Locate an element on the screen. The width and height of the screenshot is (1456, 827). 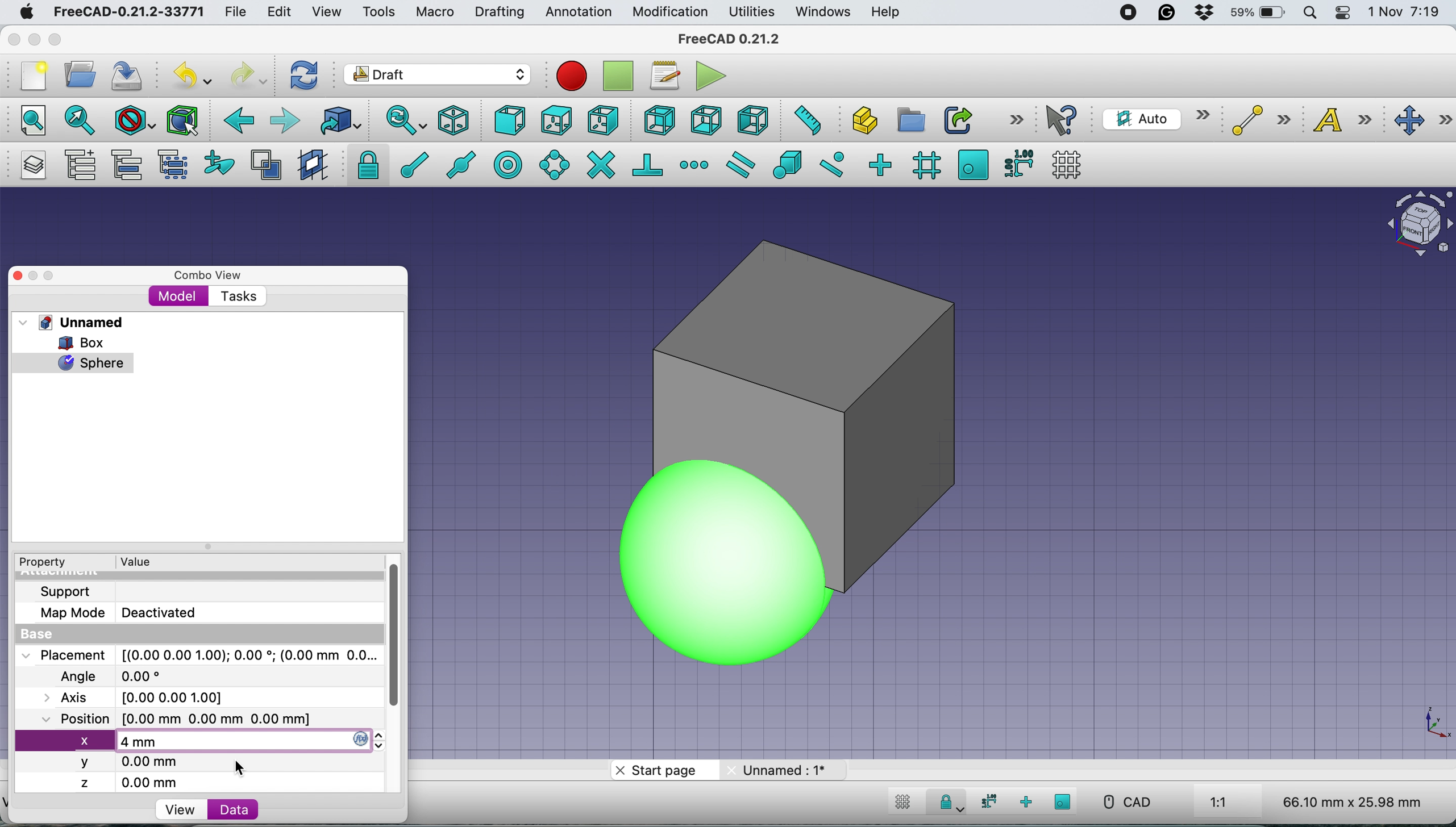
snap working plane is located at coordinates (1063, 801).